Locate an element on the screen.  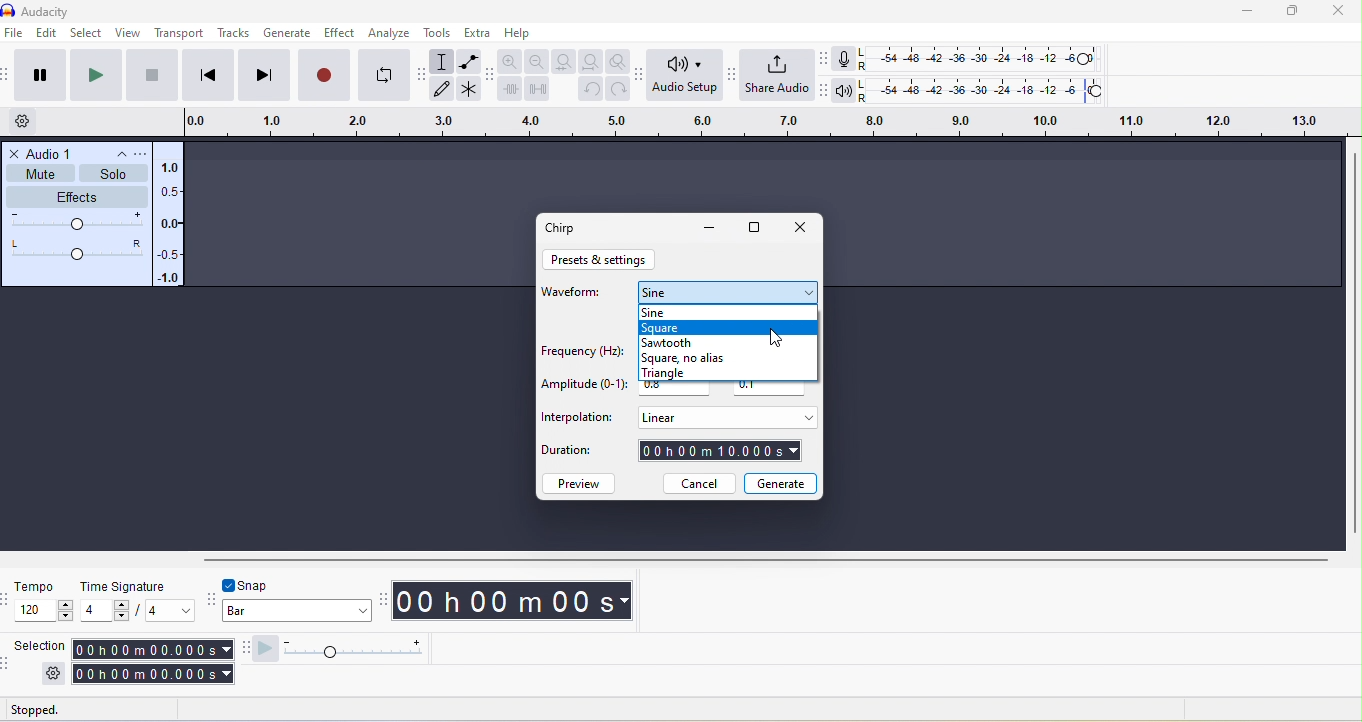
effect is located at coordinates (342, 32).